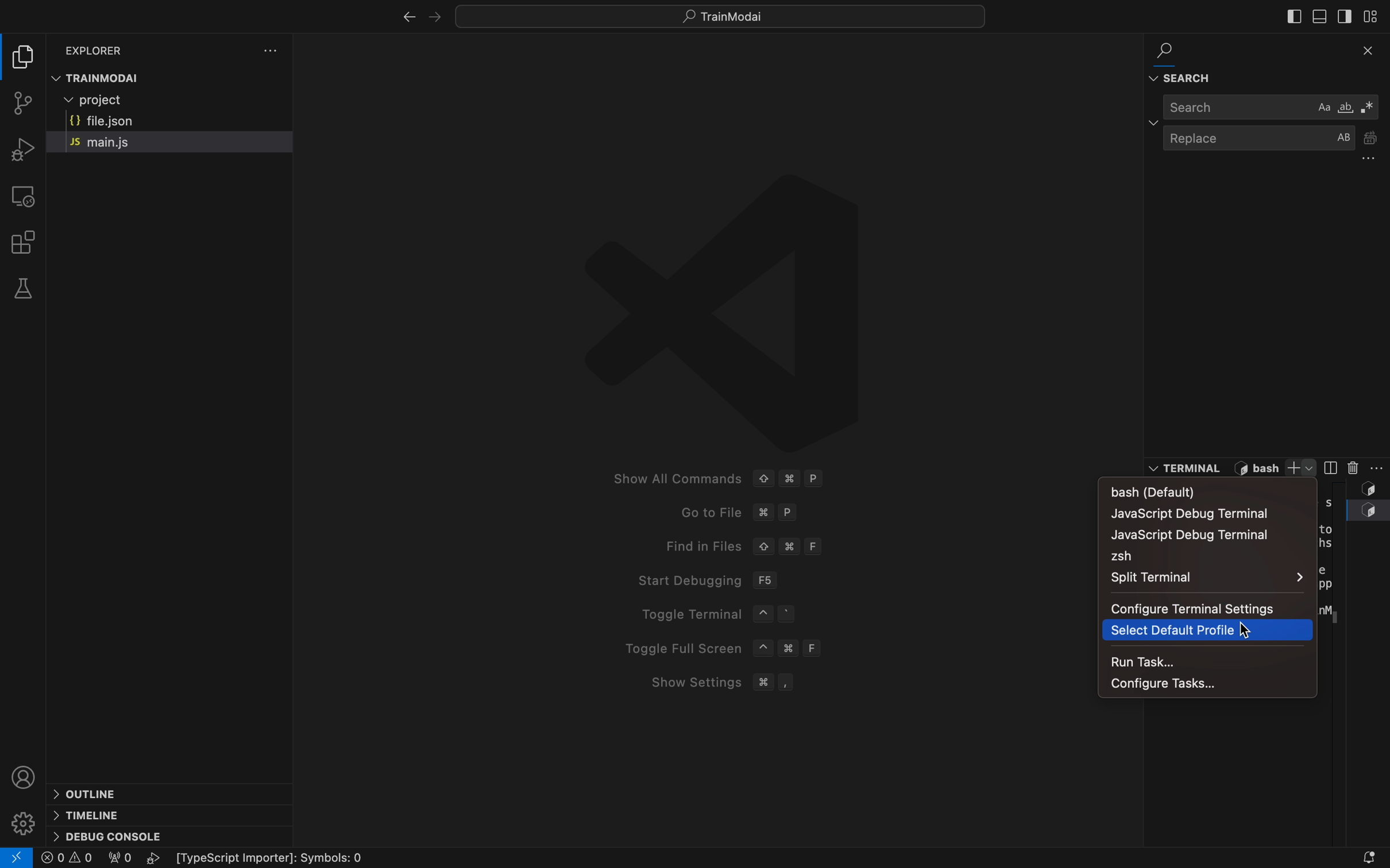  Describe the element at coordinates (20, 149) in the screenshot. I see `debugger` at that location.